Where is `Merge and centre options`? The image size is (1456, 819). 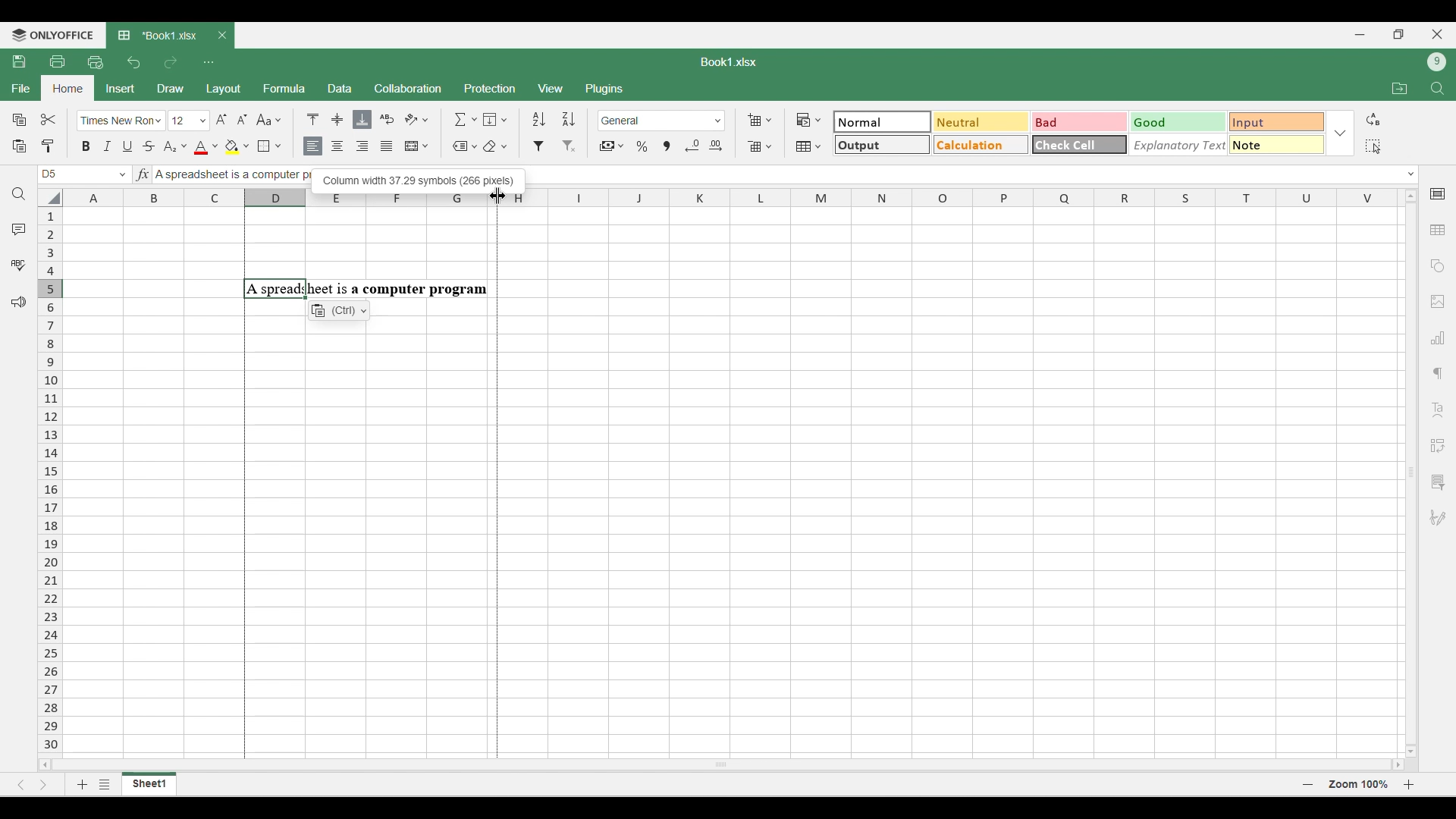 Merge and centre options is located at coordinates (417, 146).